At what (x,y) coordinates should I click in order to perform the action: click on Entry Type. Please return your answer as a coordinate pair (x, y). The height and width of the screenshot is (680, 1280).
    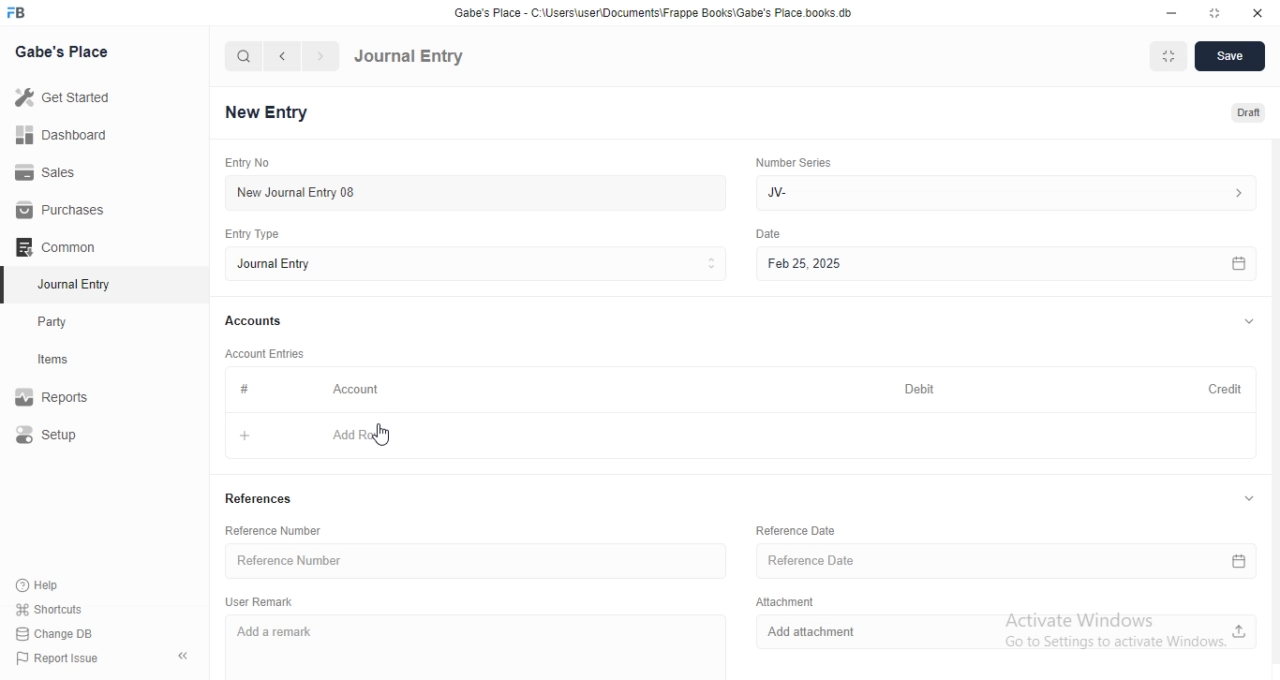
    Looking at the image, I should click on (250, 234).